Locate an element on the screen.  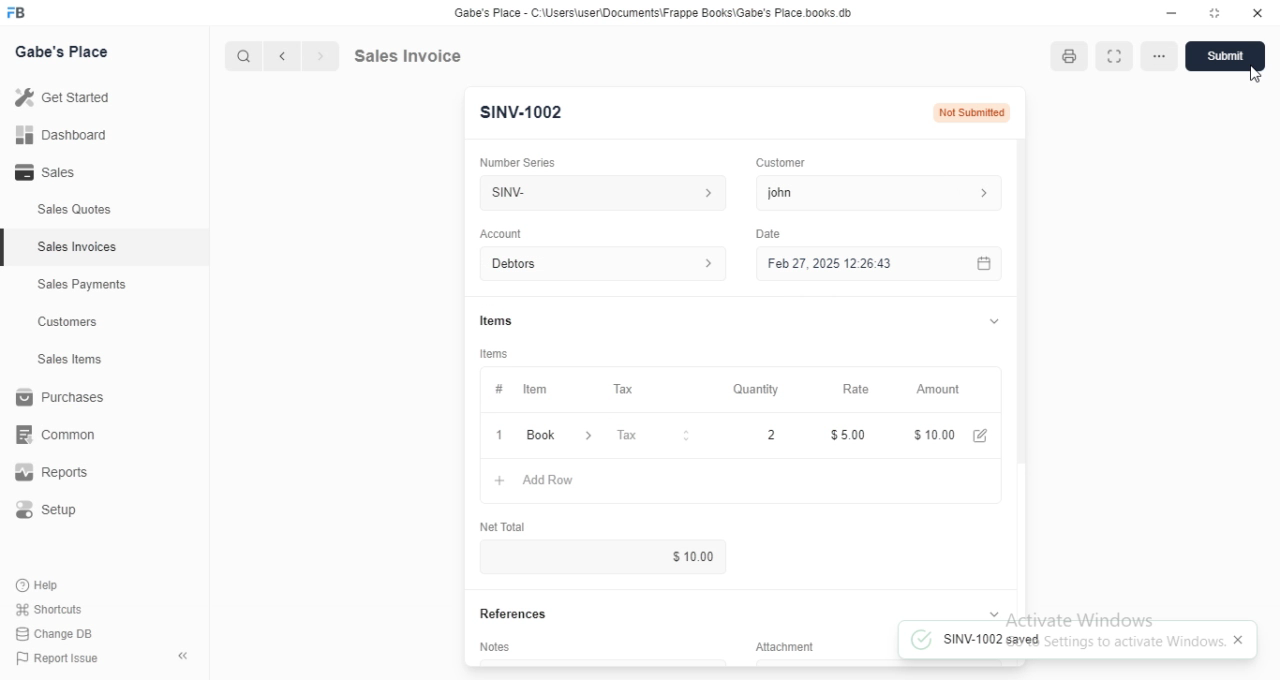
Shortcuts is located at coordinates (50, 610).